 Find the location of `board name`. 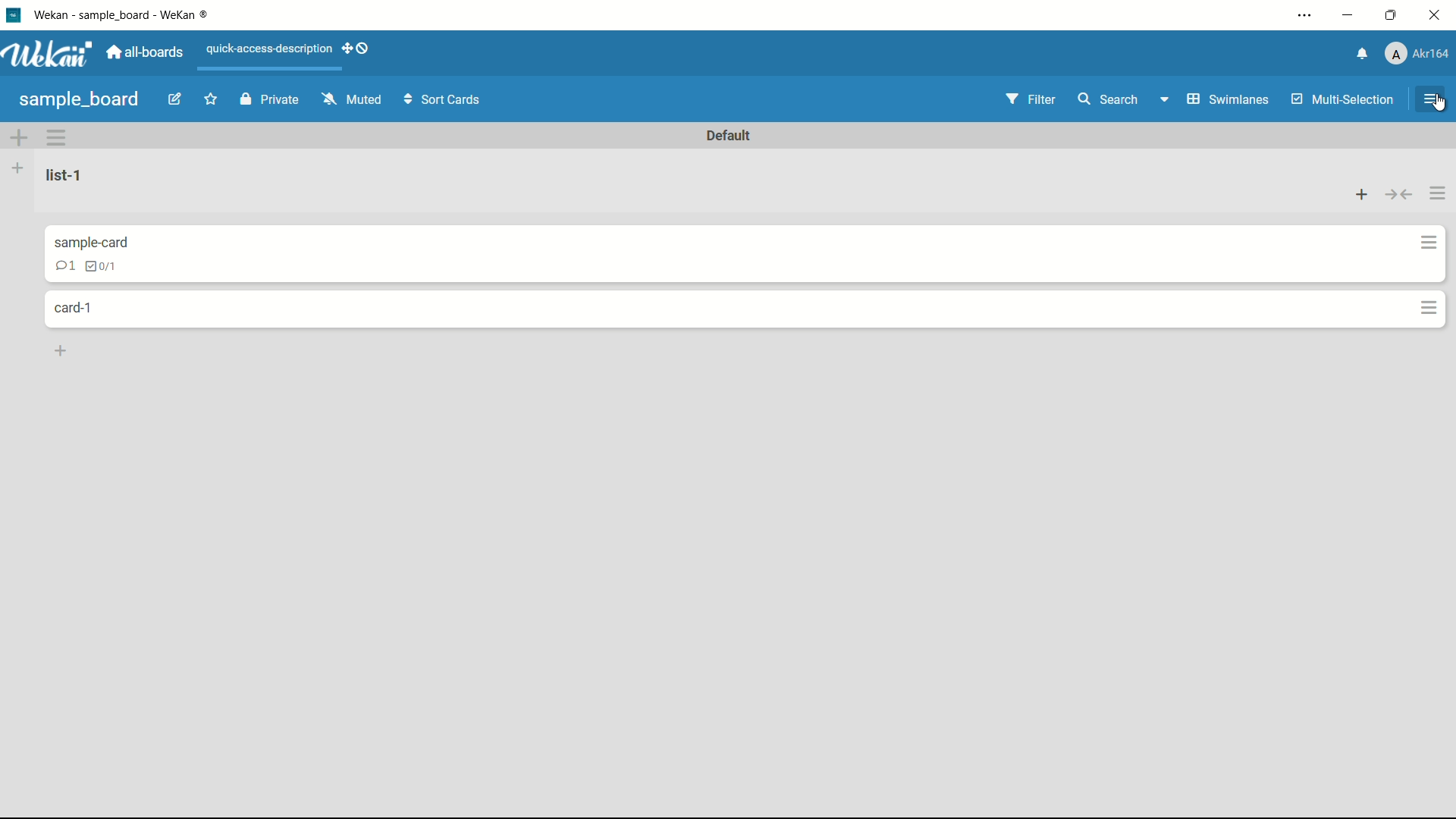

board name is located at coordinates (80, 99).